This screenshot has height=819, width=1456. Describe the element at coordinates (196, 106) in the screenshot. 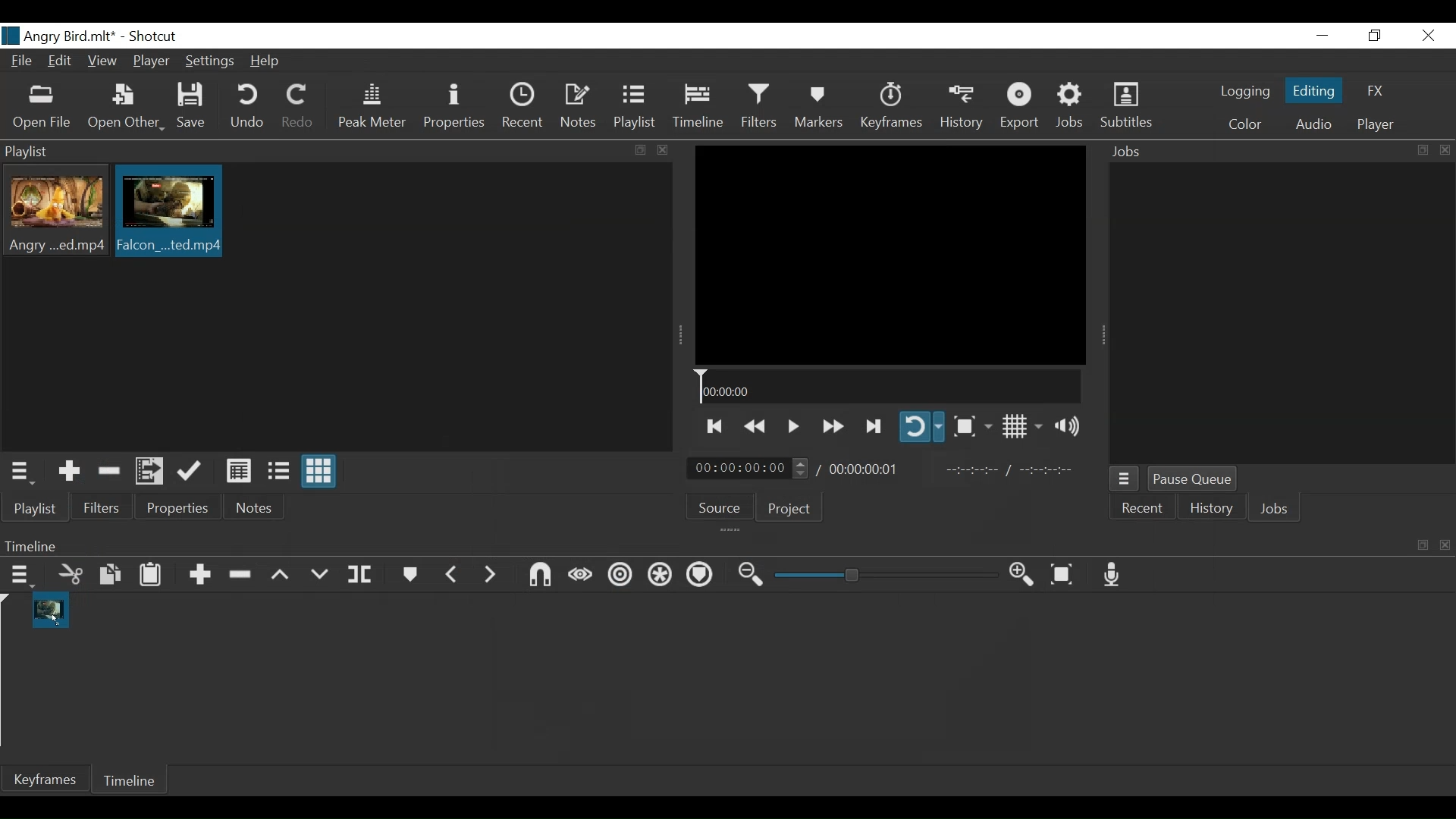

I see `Save` at that location.